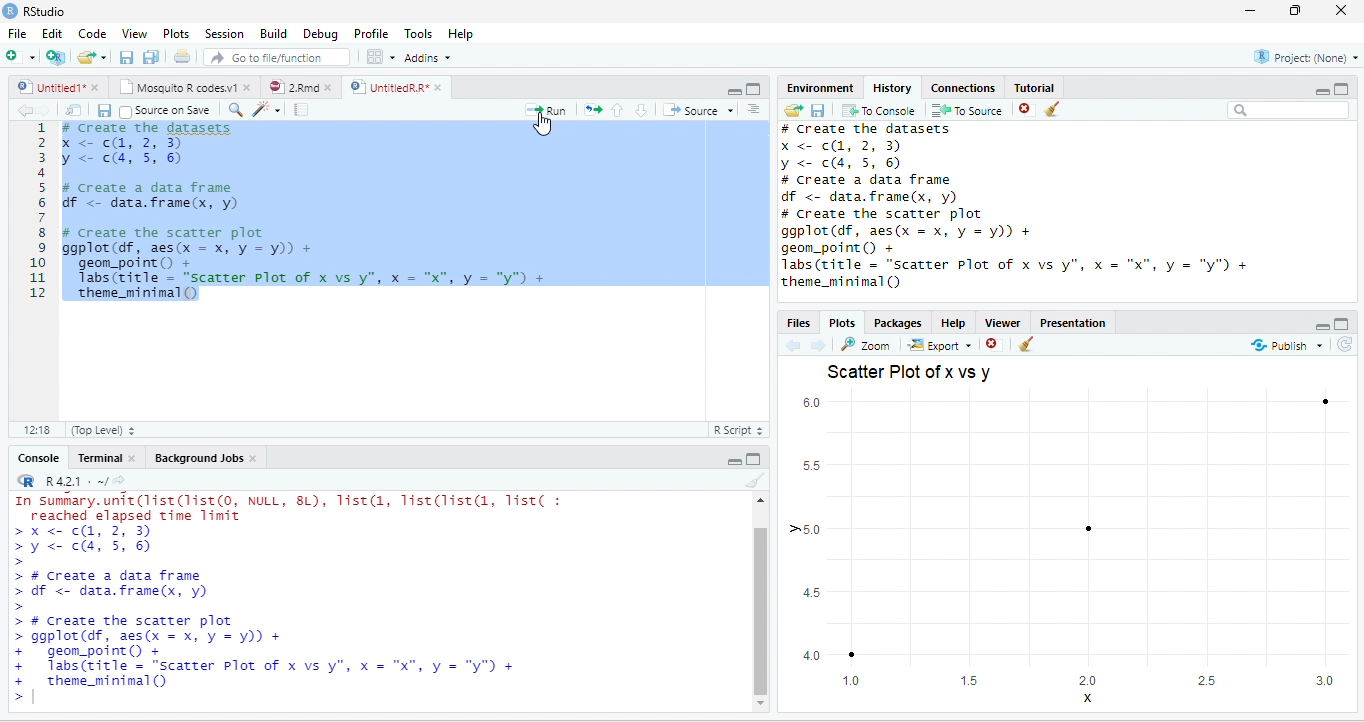 The image size is (1364, 722). What do you see at coordinates (1251, 11) in the screenshot?
I see `minimize` at bounding box center [1251, 11].